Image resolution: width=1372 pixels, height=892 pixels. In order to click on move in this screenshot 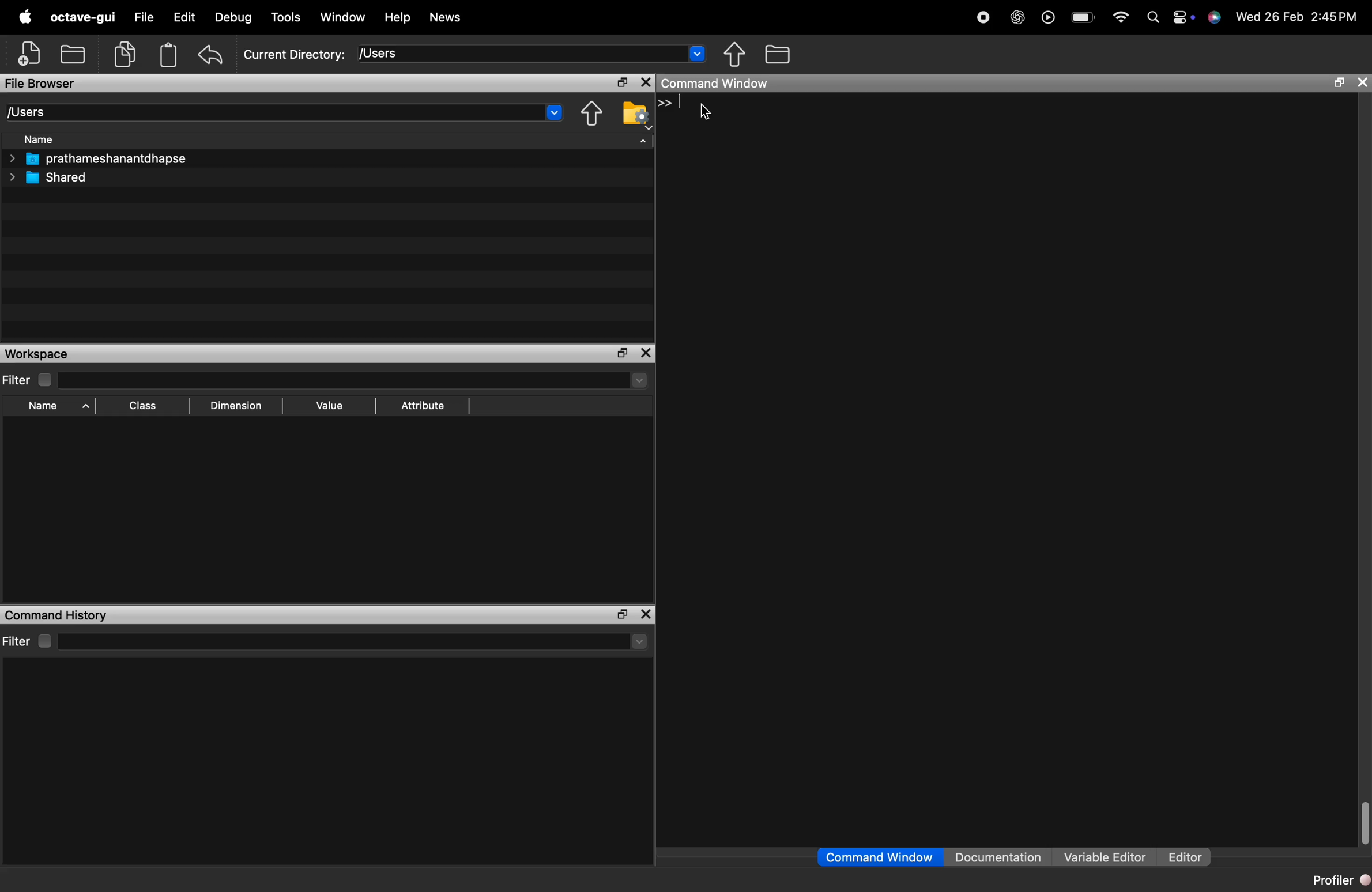, I will do `click(735, 54)`.